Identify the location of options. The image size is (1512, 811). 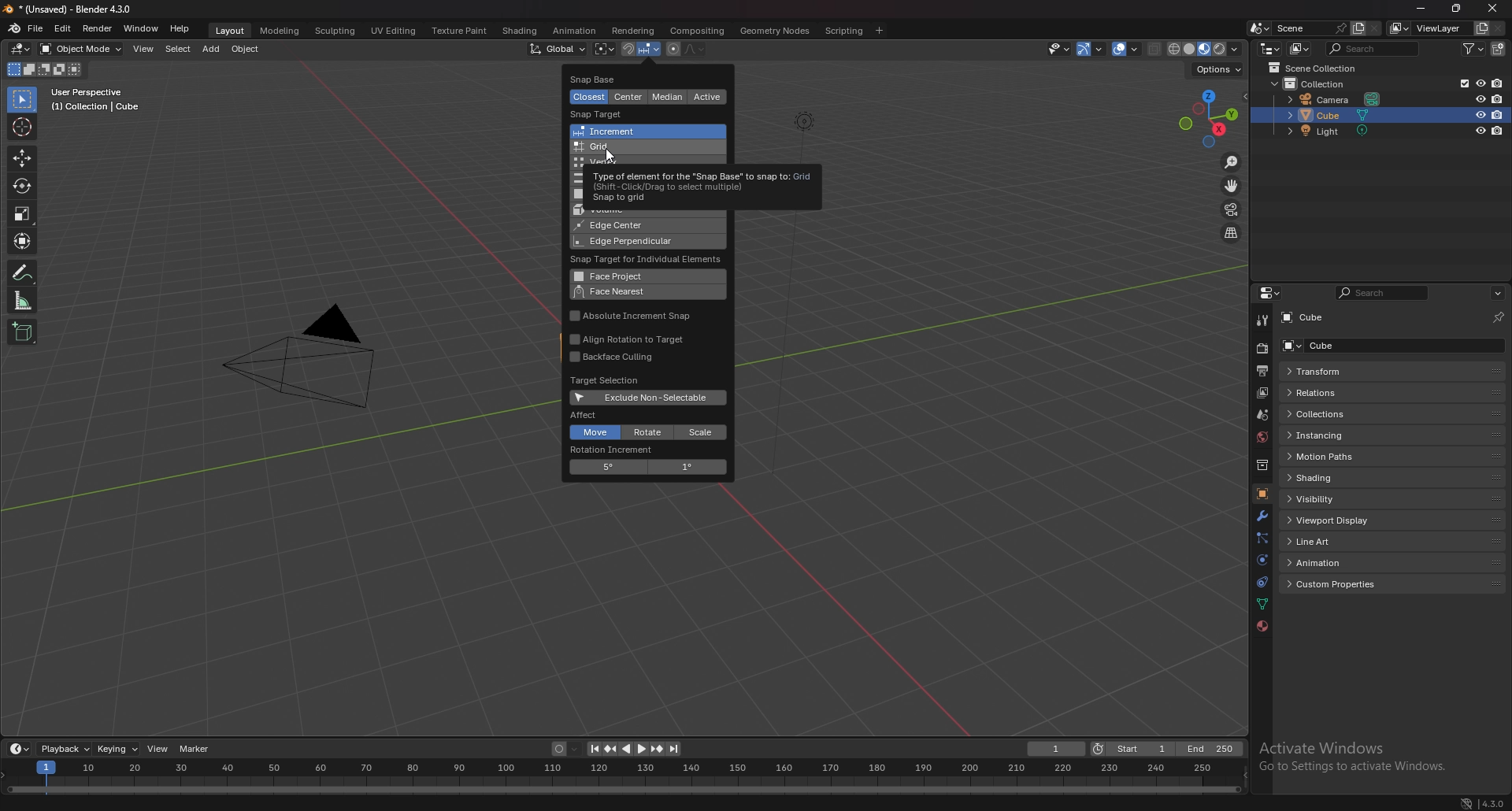
(1497, 293).